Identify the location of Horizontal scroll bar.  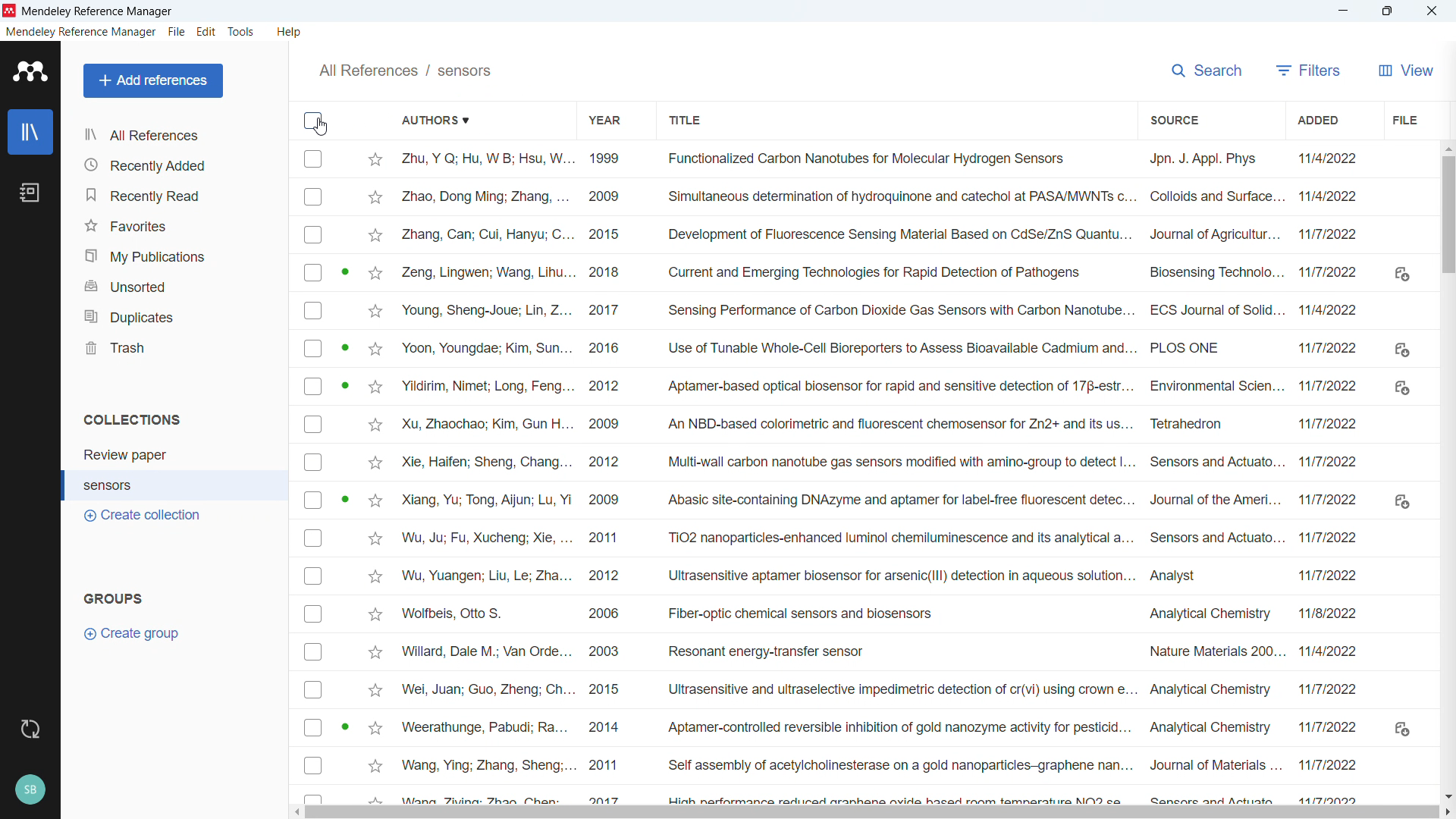
(871, 813).